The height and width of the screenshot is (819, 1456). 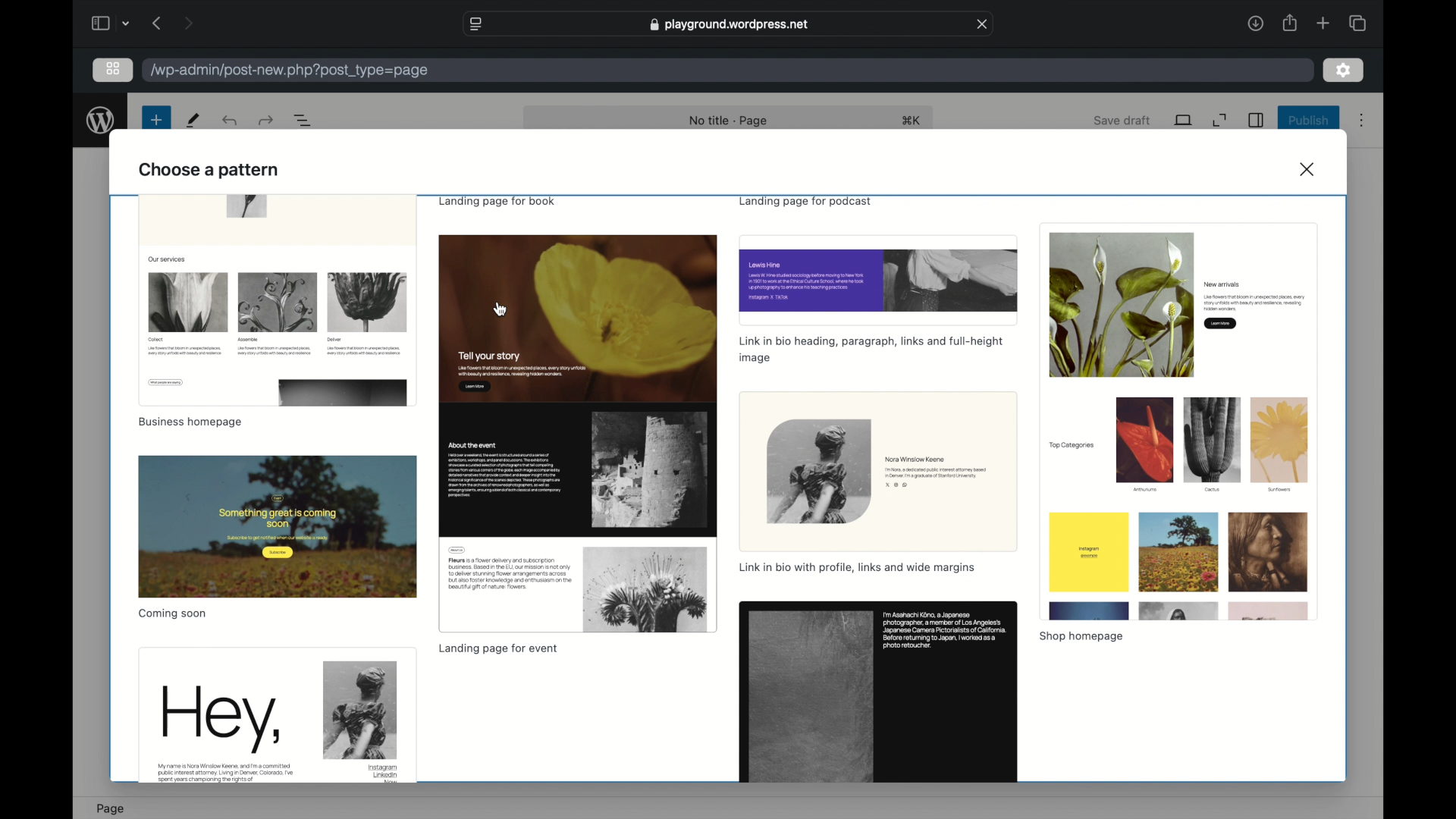 What do you see at coordinates (872, 350) in the screenshot?
I see `link in bio heading, paragraph, links and full-height image` at bounding box center [872, 350].